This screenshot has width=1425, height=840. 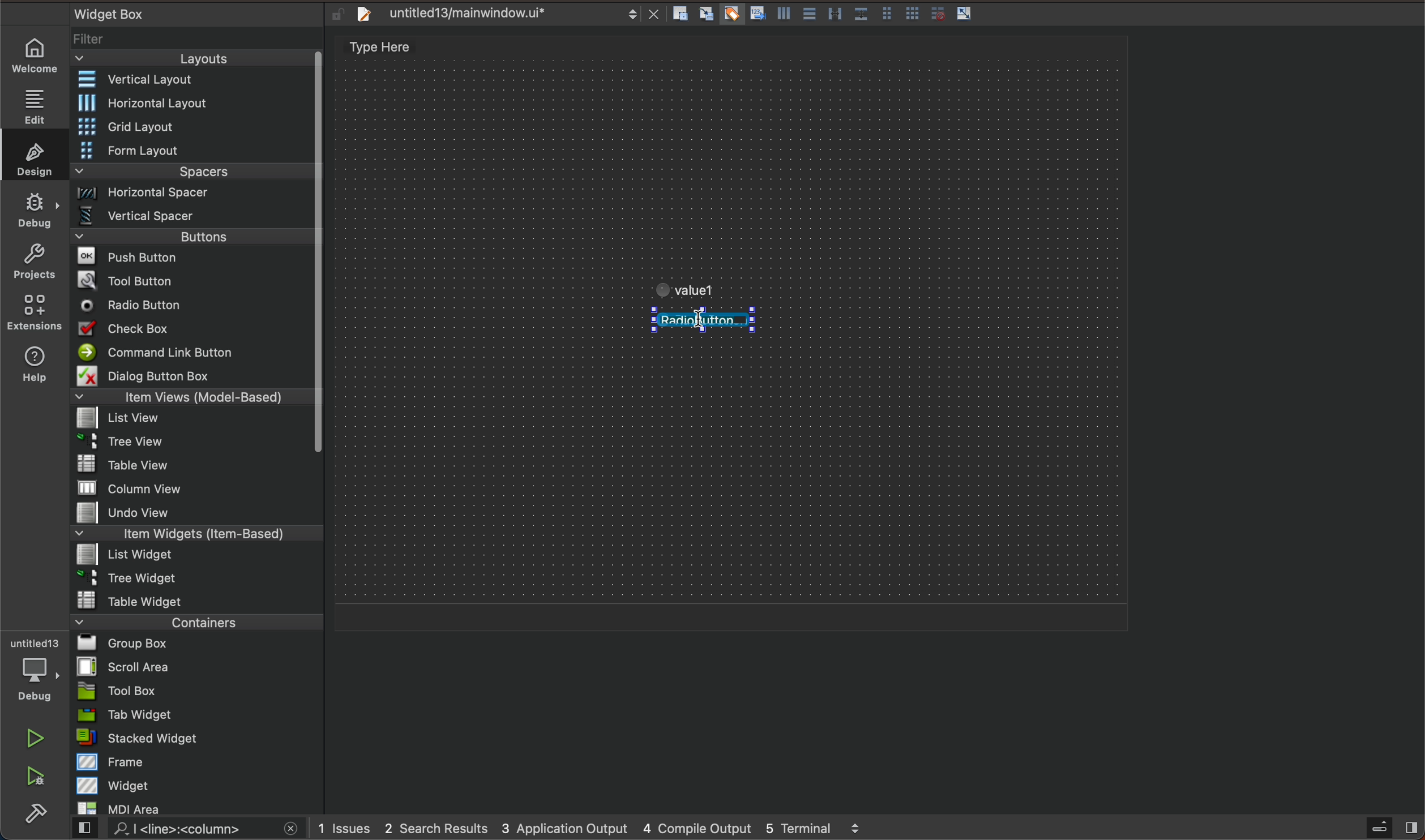 What do you see at coordinates (606, 828) in the screenshot?
I see `logs` at bounding box center [606, 828].